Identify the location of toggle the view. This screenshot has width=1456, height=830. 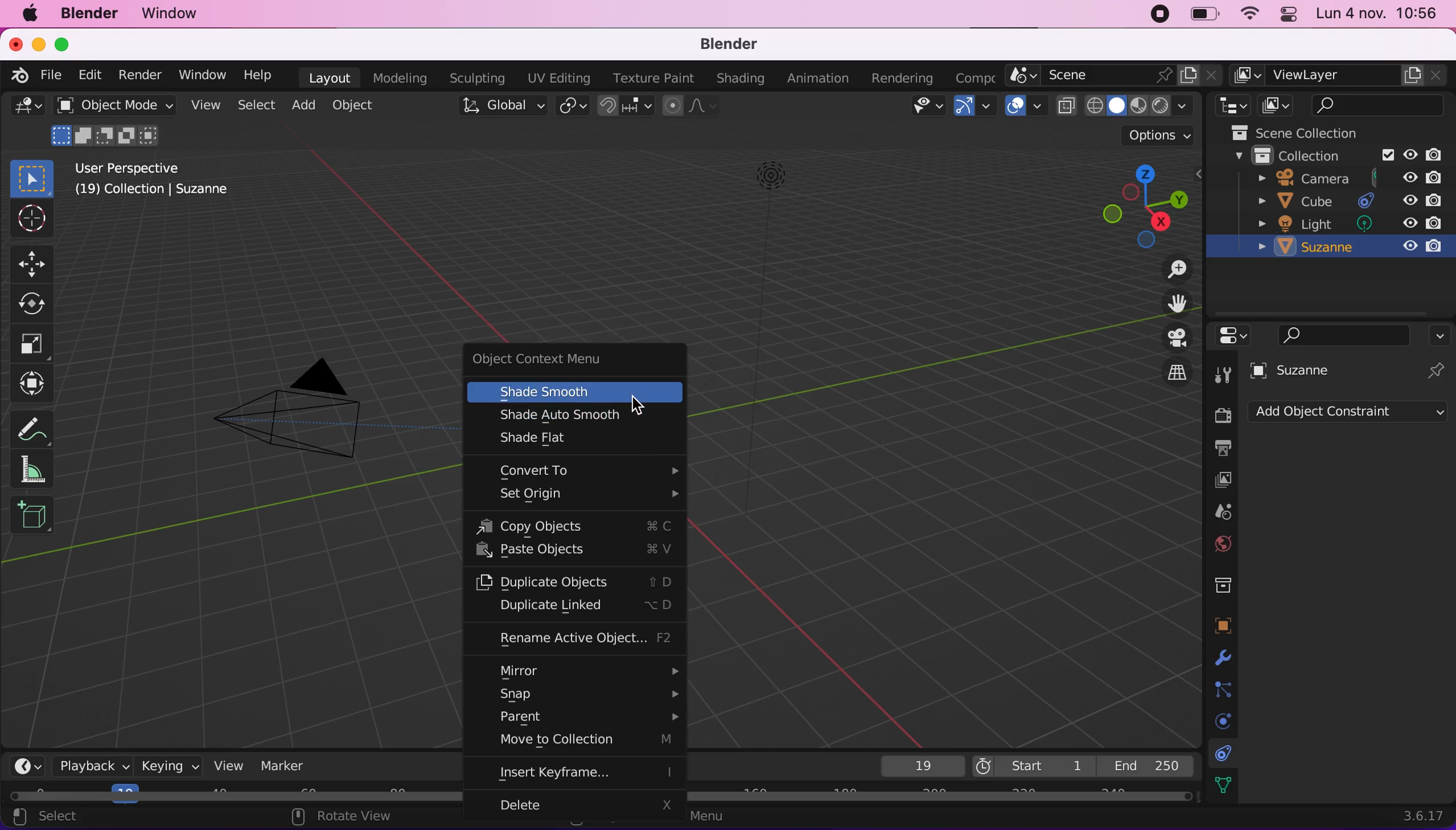
(1176, 338).